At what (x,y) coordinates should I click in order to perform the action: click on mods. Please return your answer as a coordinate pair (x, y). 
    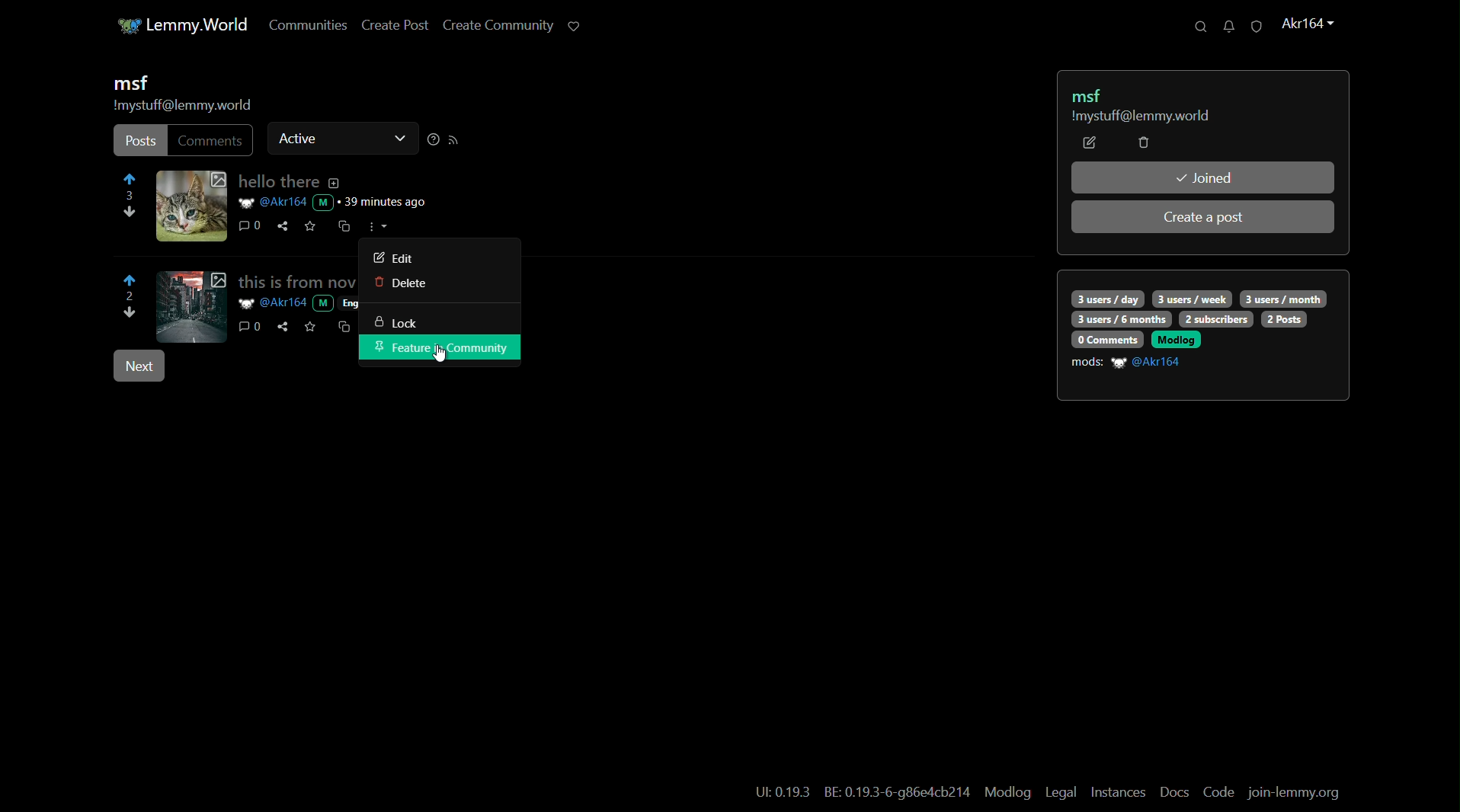
    Looking at the image, I should click on (1087, 363).